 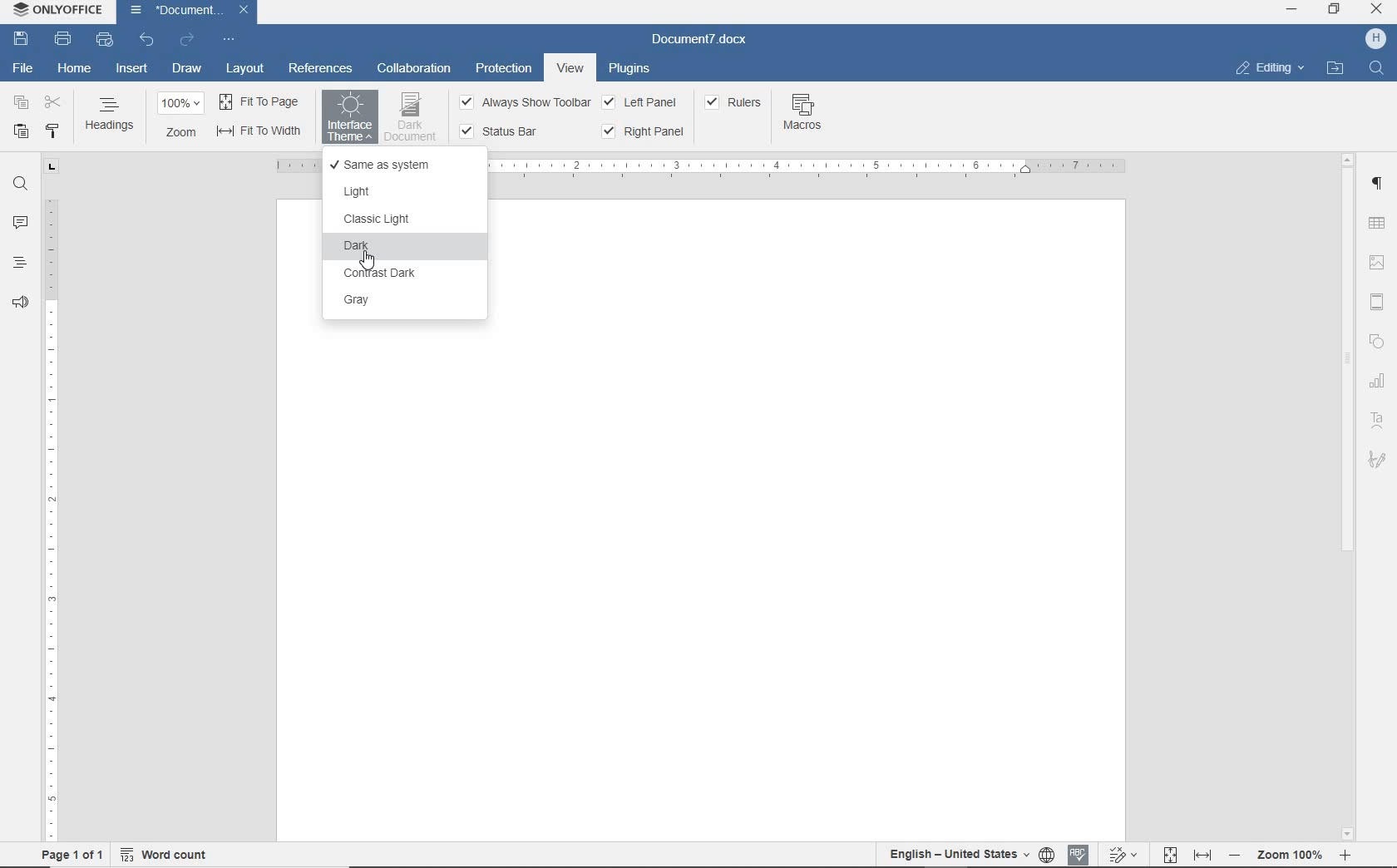 What do you see at coordinates (1268, 66) in the screenshot?
I see `EDITING` at bounding box center [1268, 66].